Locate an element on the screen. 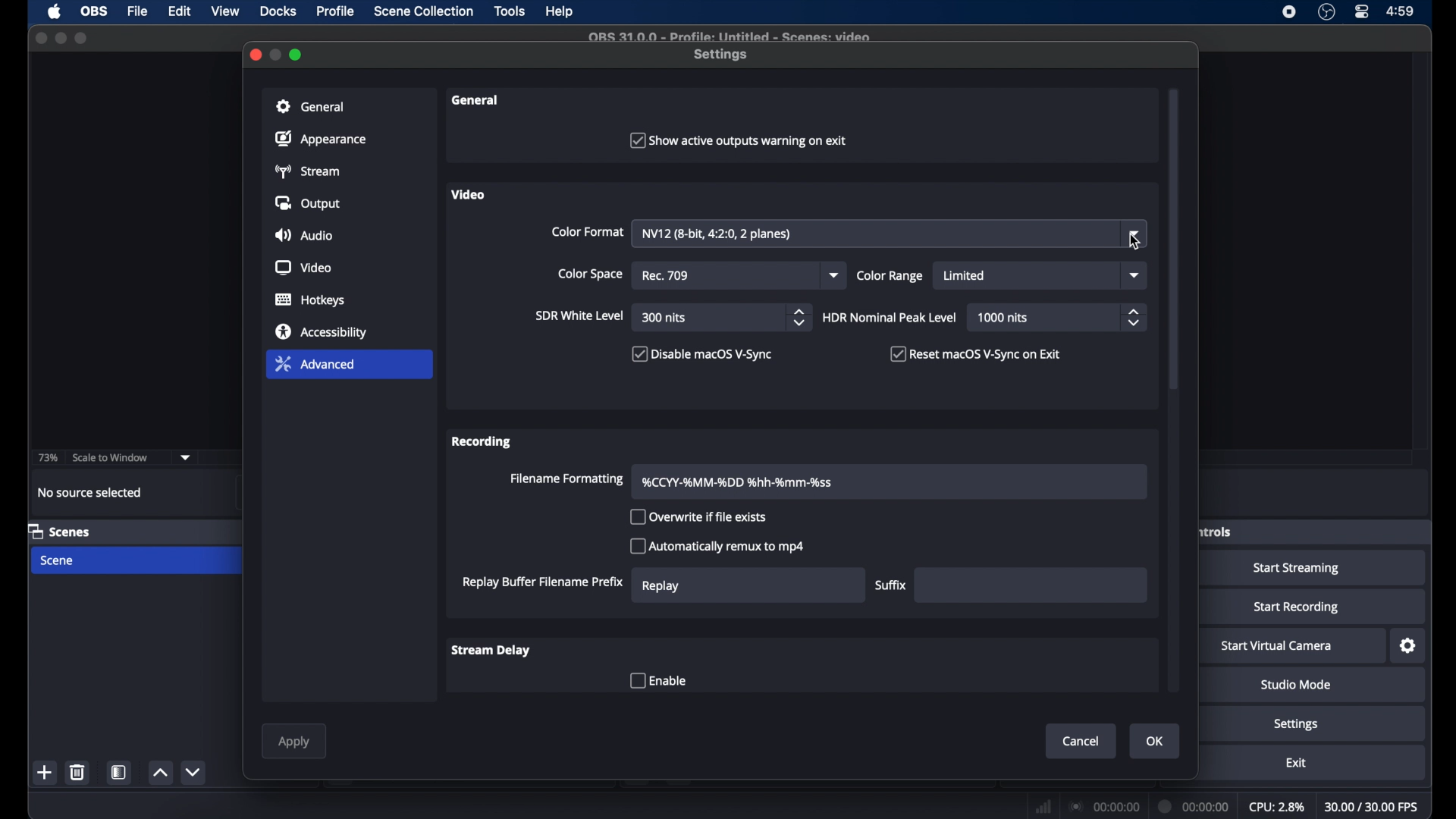 Image resolution: width=1456 pixels, height=819 pixels. NV12 (8-bit, 4:2:0, 2 planes) is located at coordinates (721, 234).